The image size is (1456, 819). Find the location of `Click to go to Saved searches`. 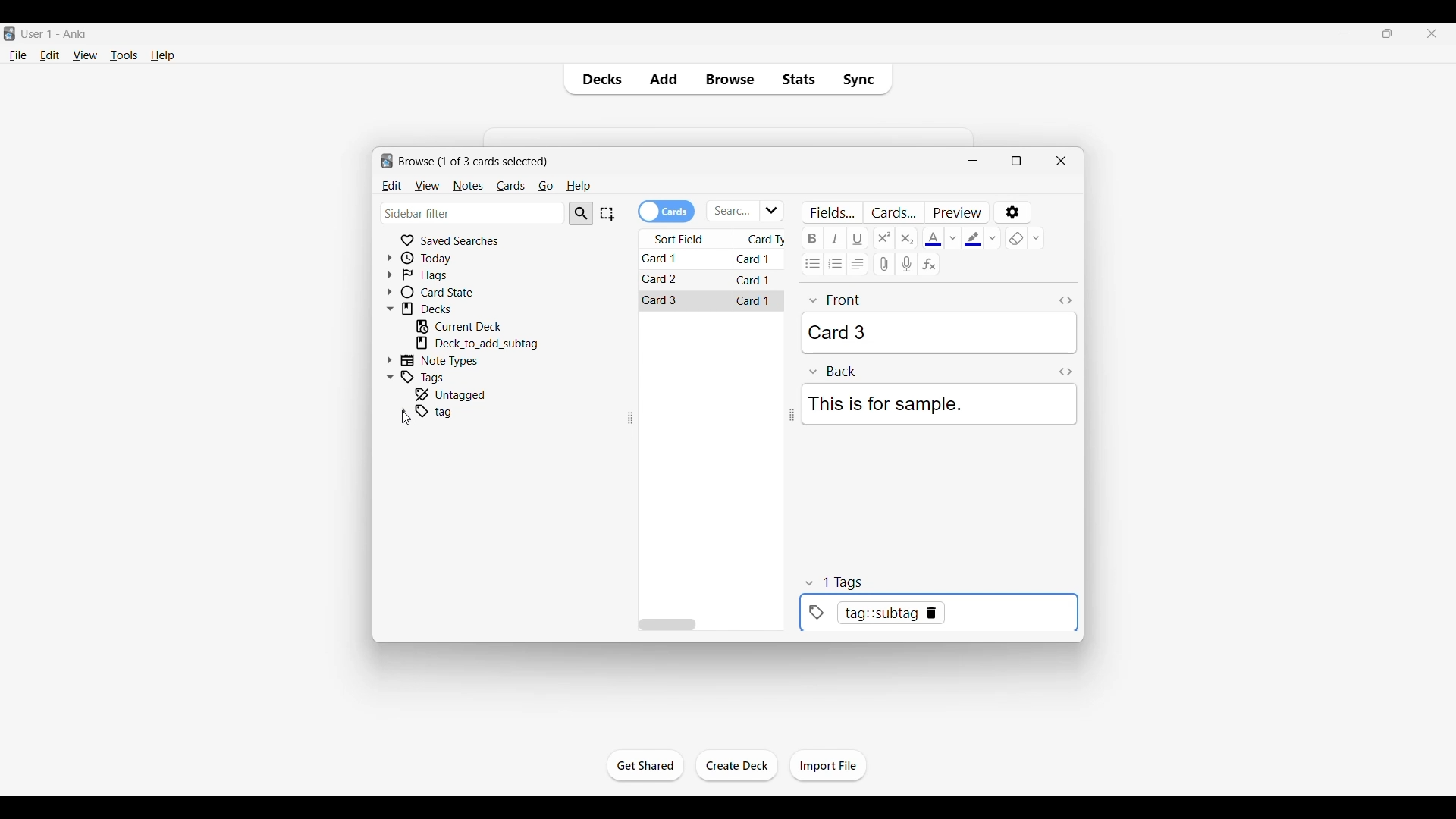

Click to go to Saved searches is located at coordinates (448, 240).